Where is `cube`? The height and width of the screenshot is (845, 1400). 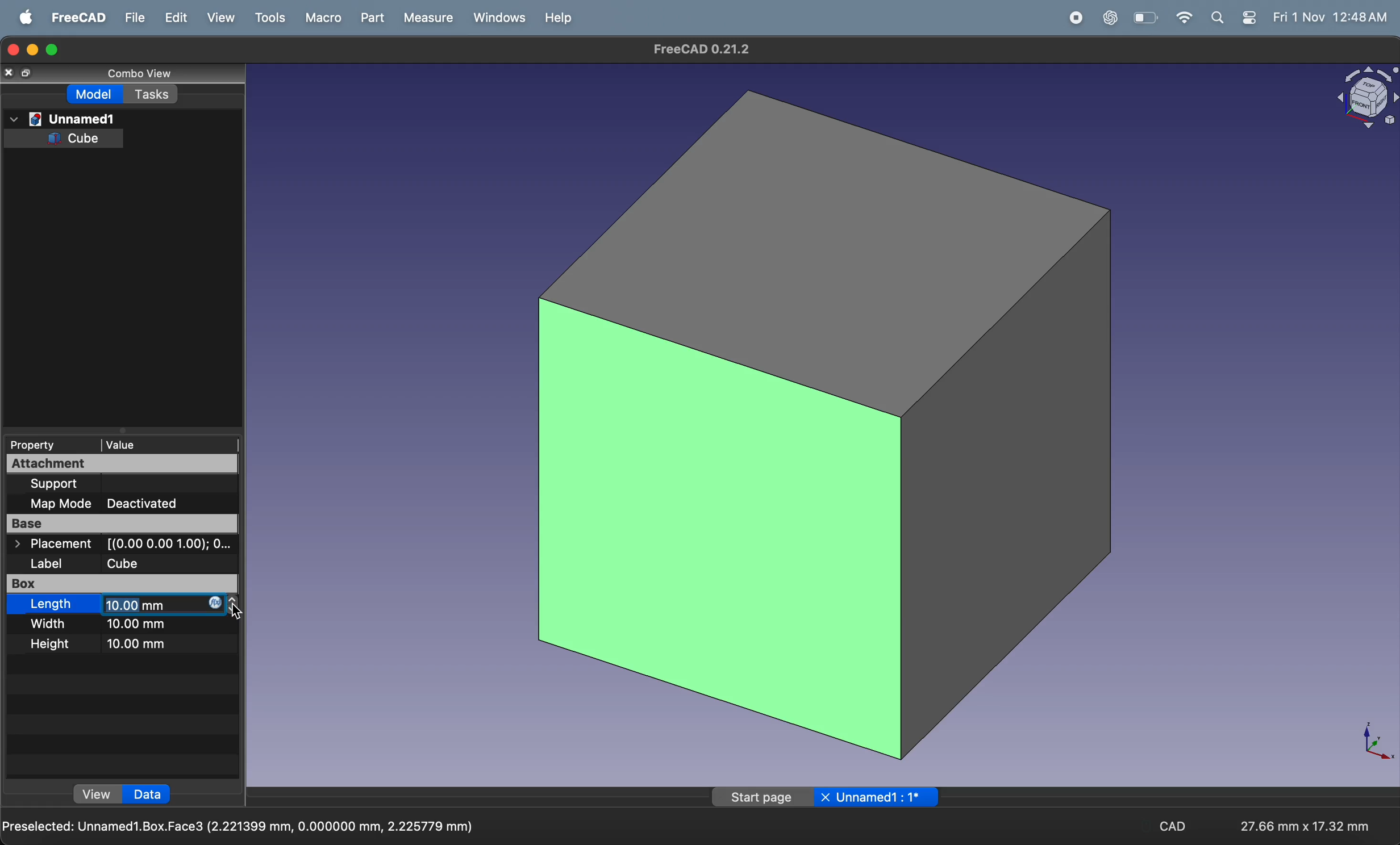
cube is located at coordinates (824, 425).